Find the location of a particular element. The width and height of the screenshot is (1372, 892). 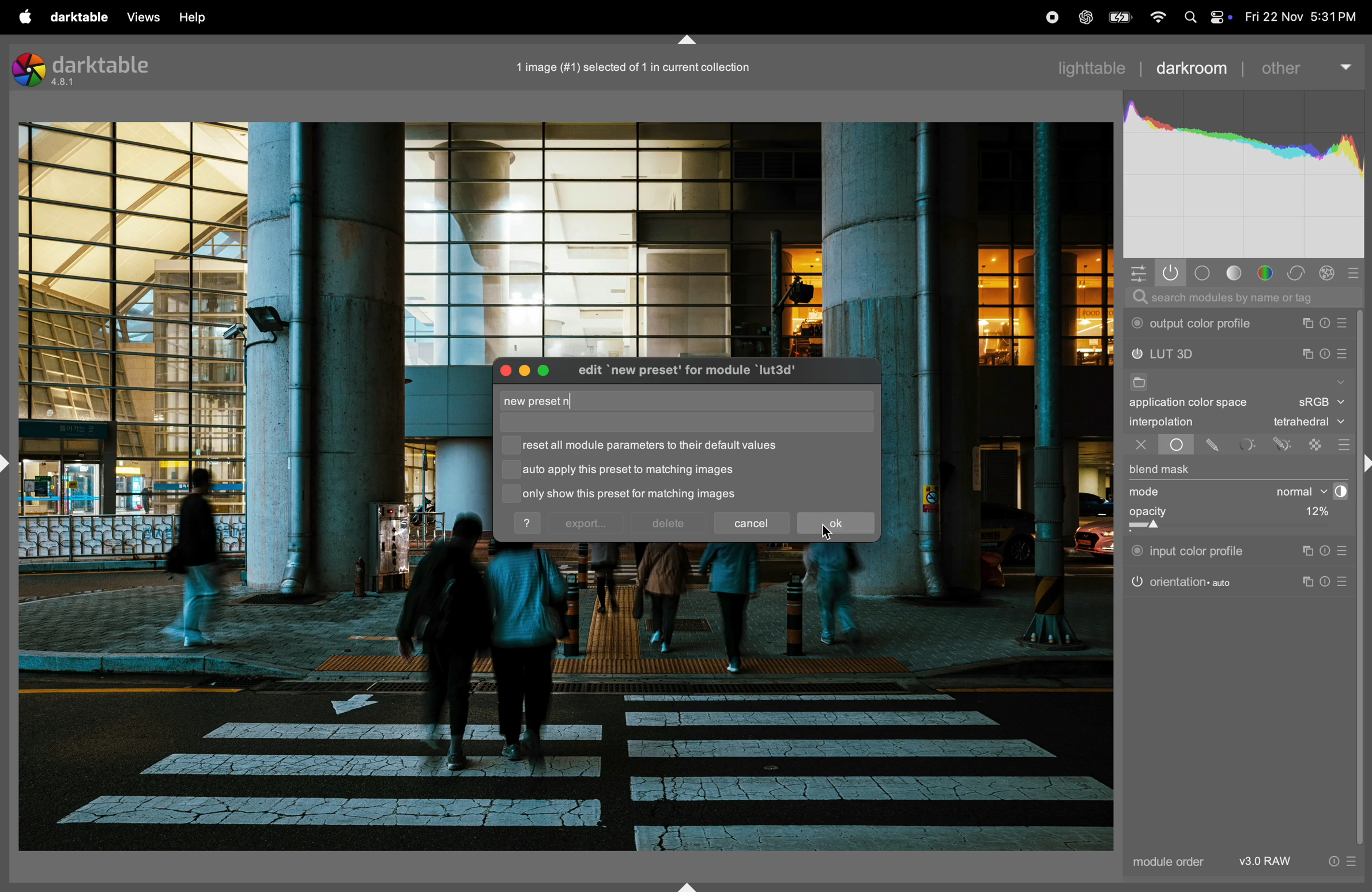

cancel is located at coordinates (753, 521).